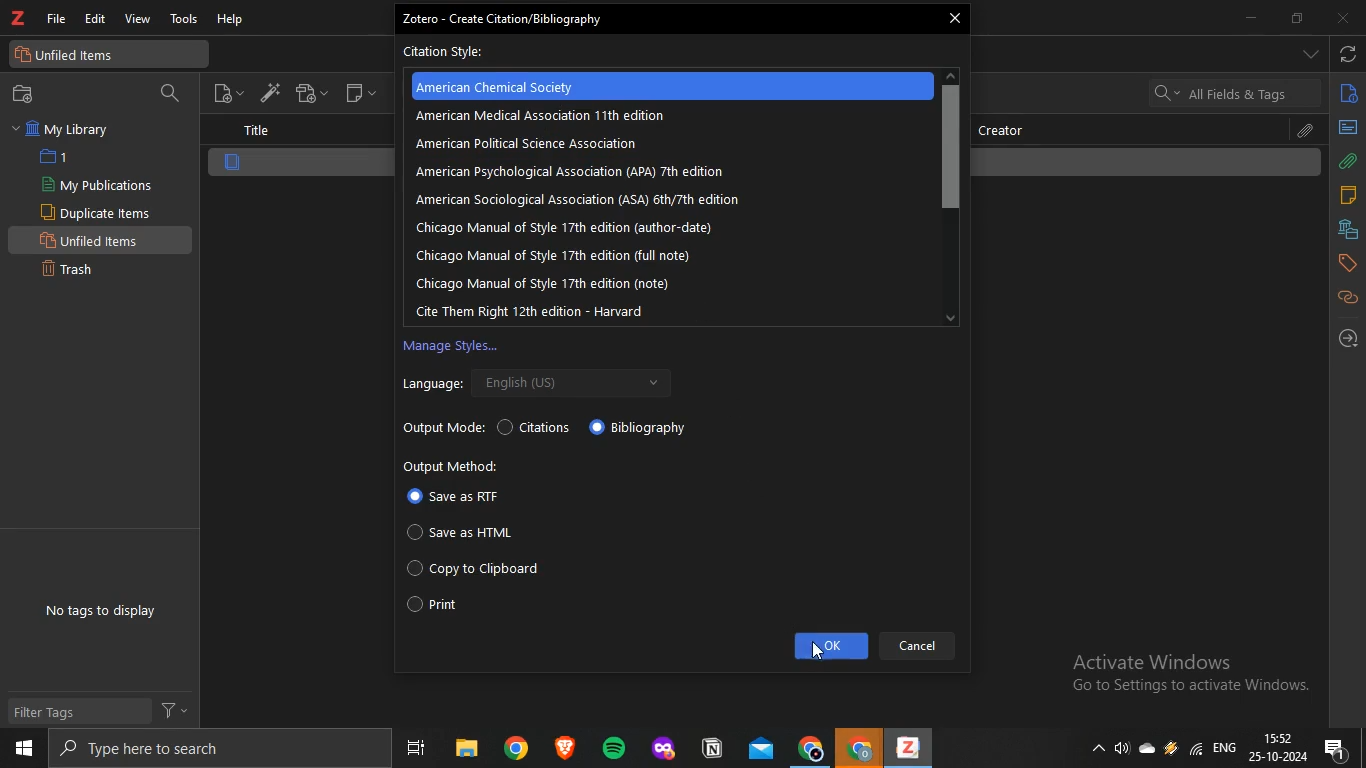 This screenshot has width=1366, height=768. Describe the element at coordinates (456, 348) in the screenshot. I see `Manage Styles...` at that location.